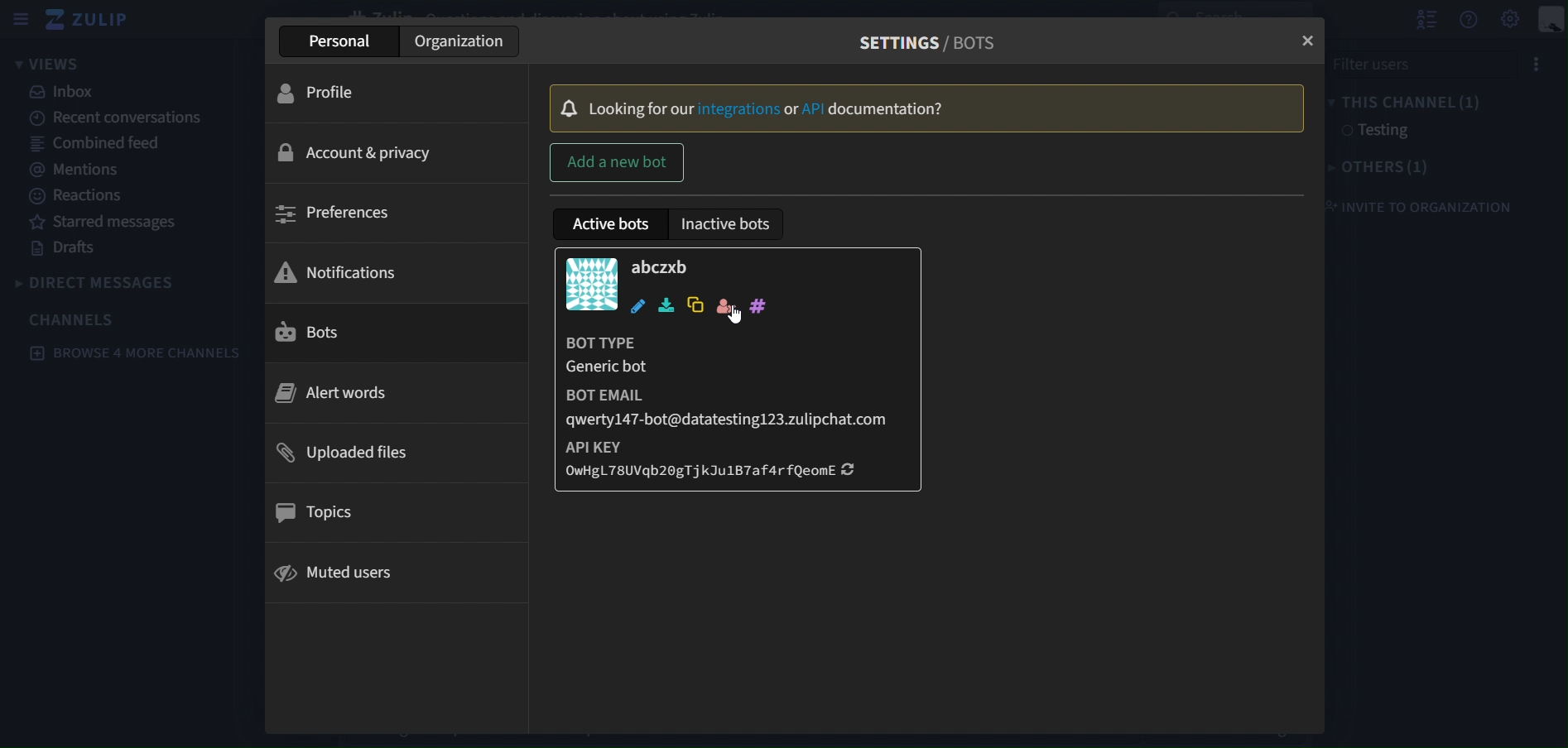 The height and width of the screenshot is (748, 1568). What do you see at coordinates (618, 161) in the screenshot?
I see `add a new bot` at bounding box center [618, 161].